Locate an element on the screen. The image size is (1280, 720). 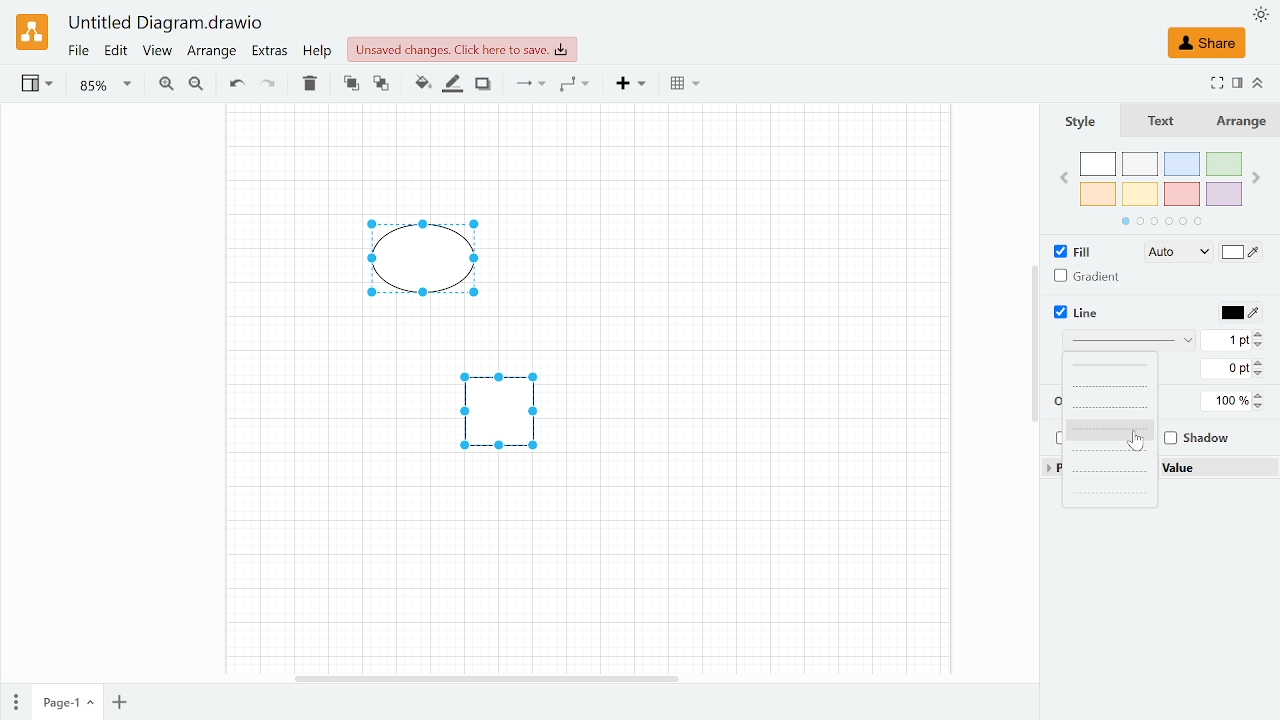
Dotted 3 is located at coordinates (1108, 492).